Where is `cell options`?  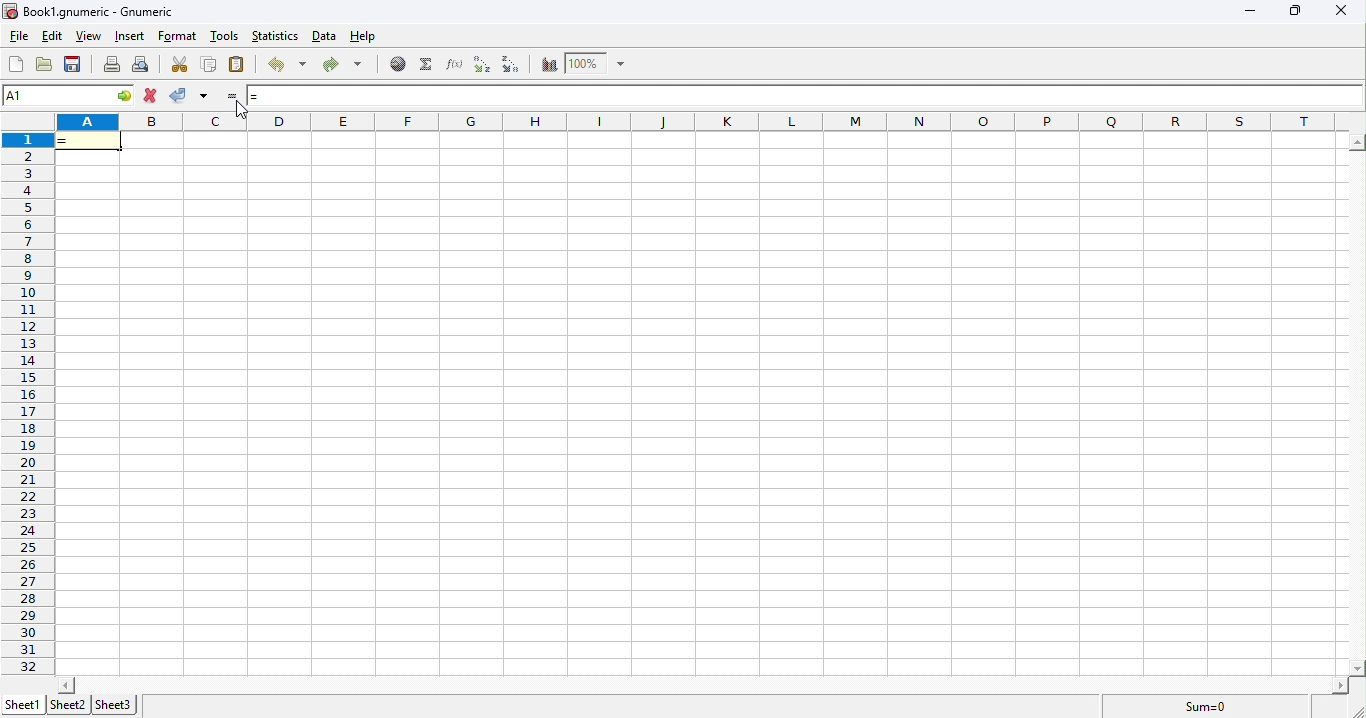 cell options is located at coordinates (125, 95).